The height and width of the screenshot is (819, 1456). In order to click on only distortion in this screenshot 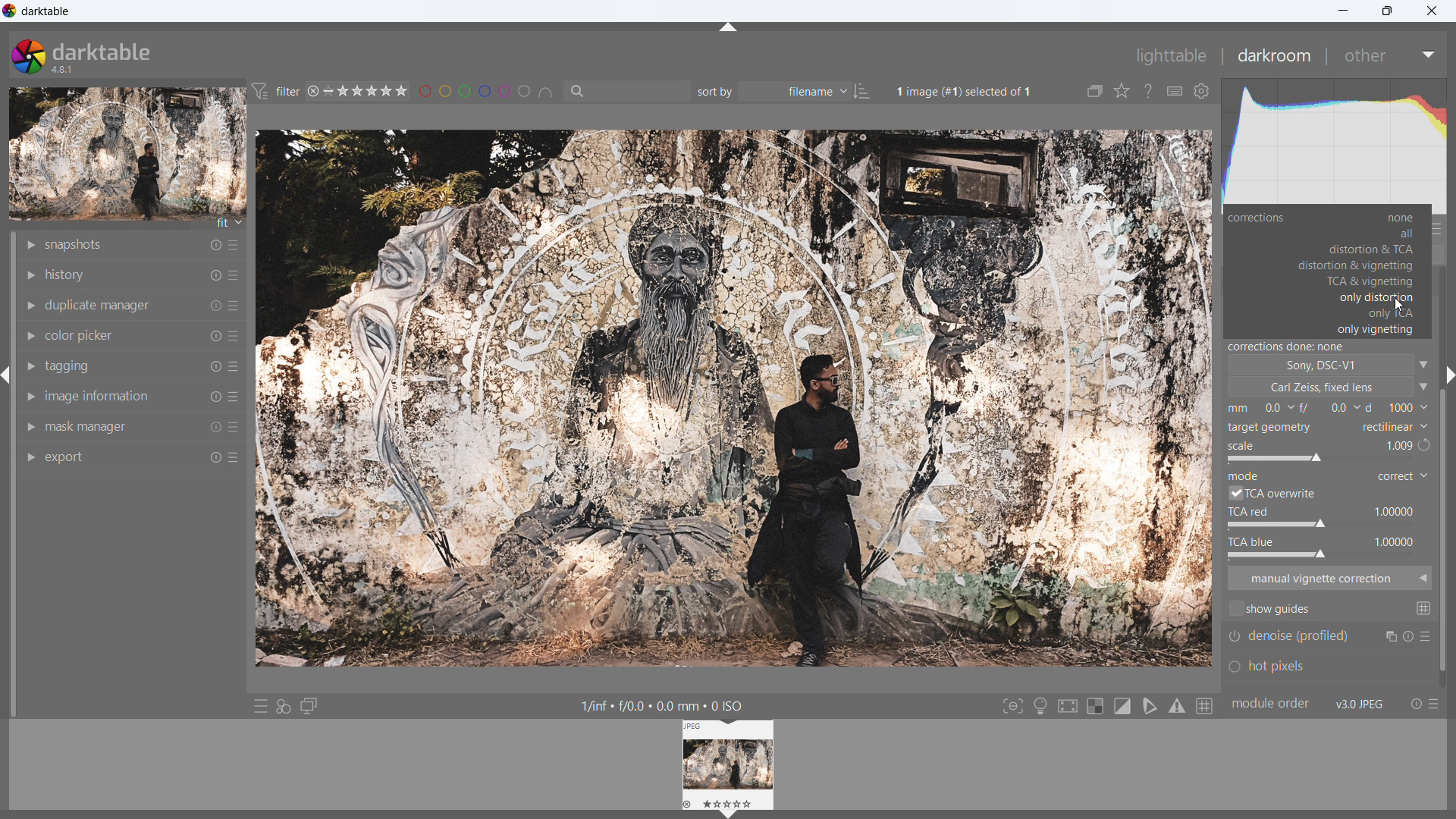, I will do `click(1359, 298)`.